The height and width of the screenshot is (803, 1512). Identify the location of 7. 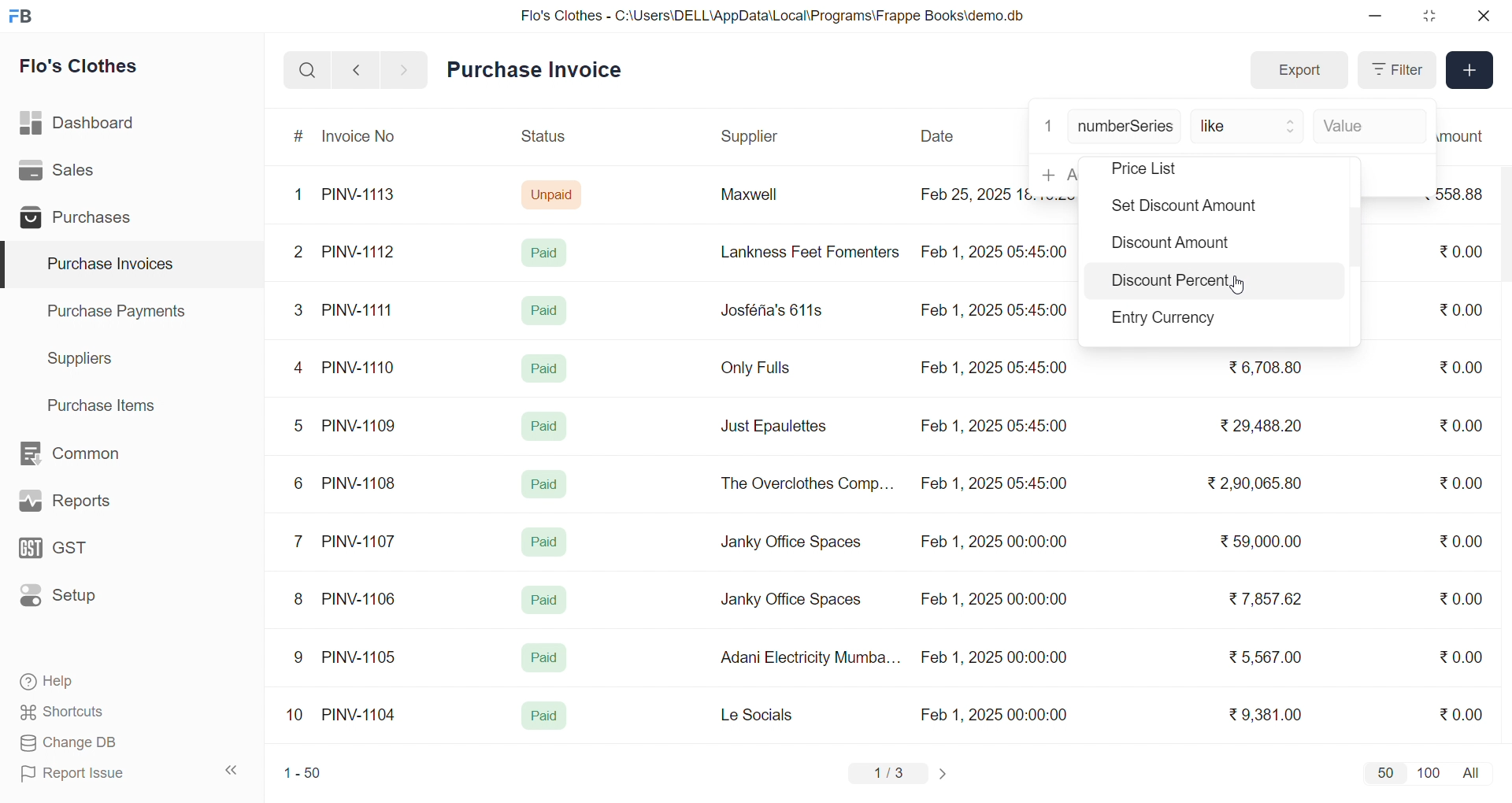
(302, 540).